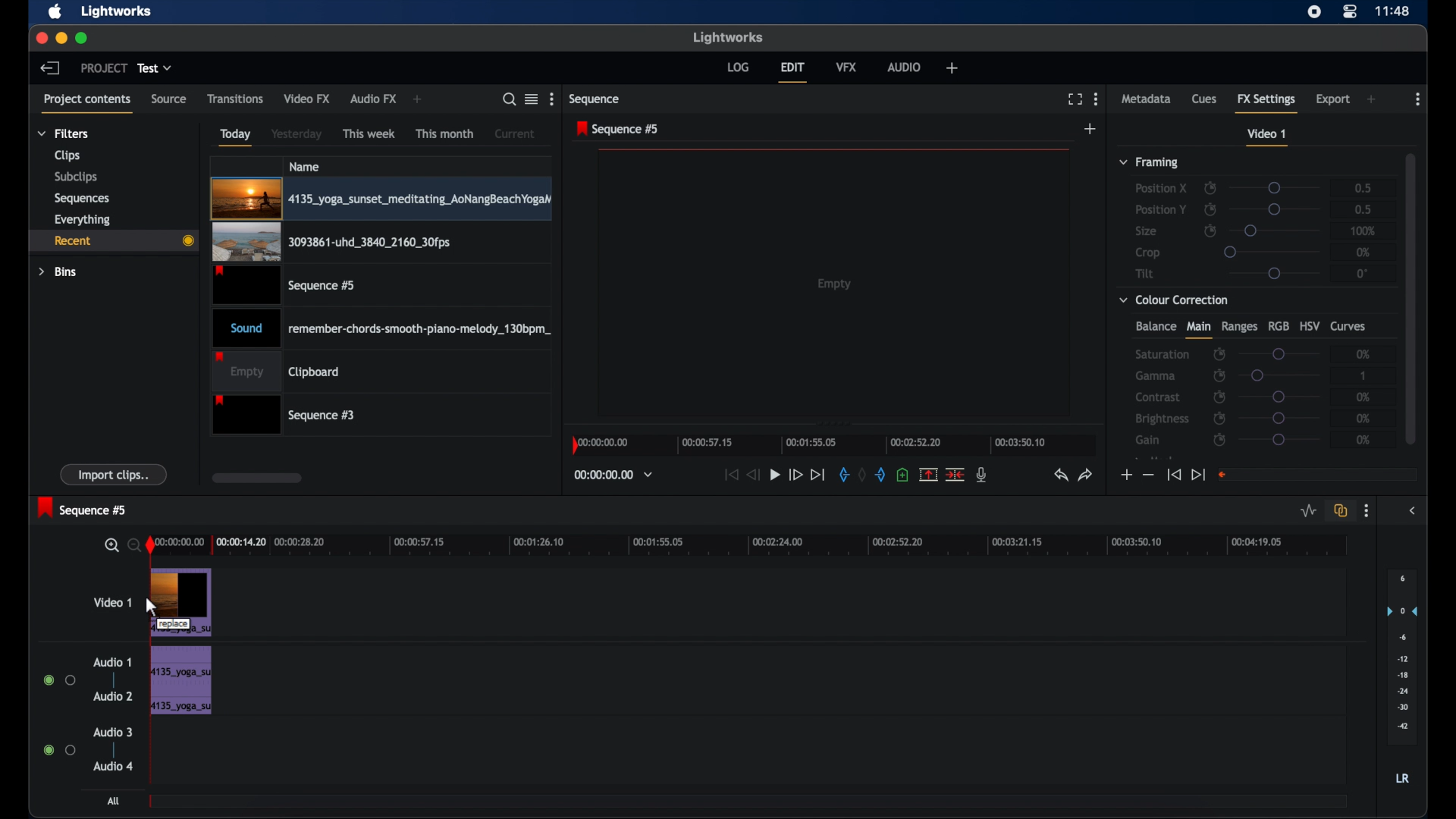  I want to click on 0, so click(1364, 273).